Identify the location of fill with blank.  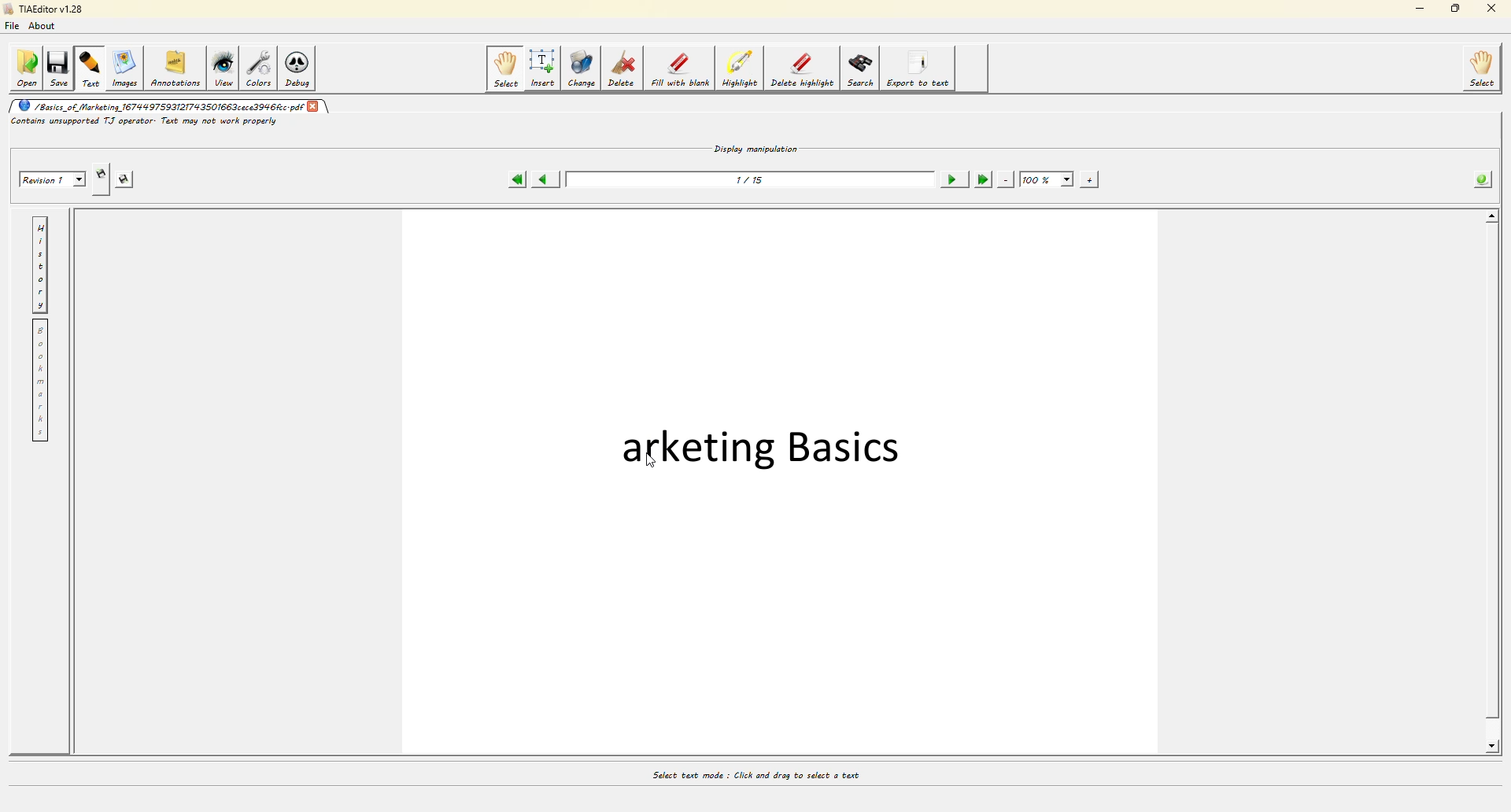
(680, 68).